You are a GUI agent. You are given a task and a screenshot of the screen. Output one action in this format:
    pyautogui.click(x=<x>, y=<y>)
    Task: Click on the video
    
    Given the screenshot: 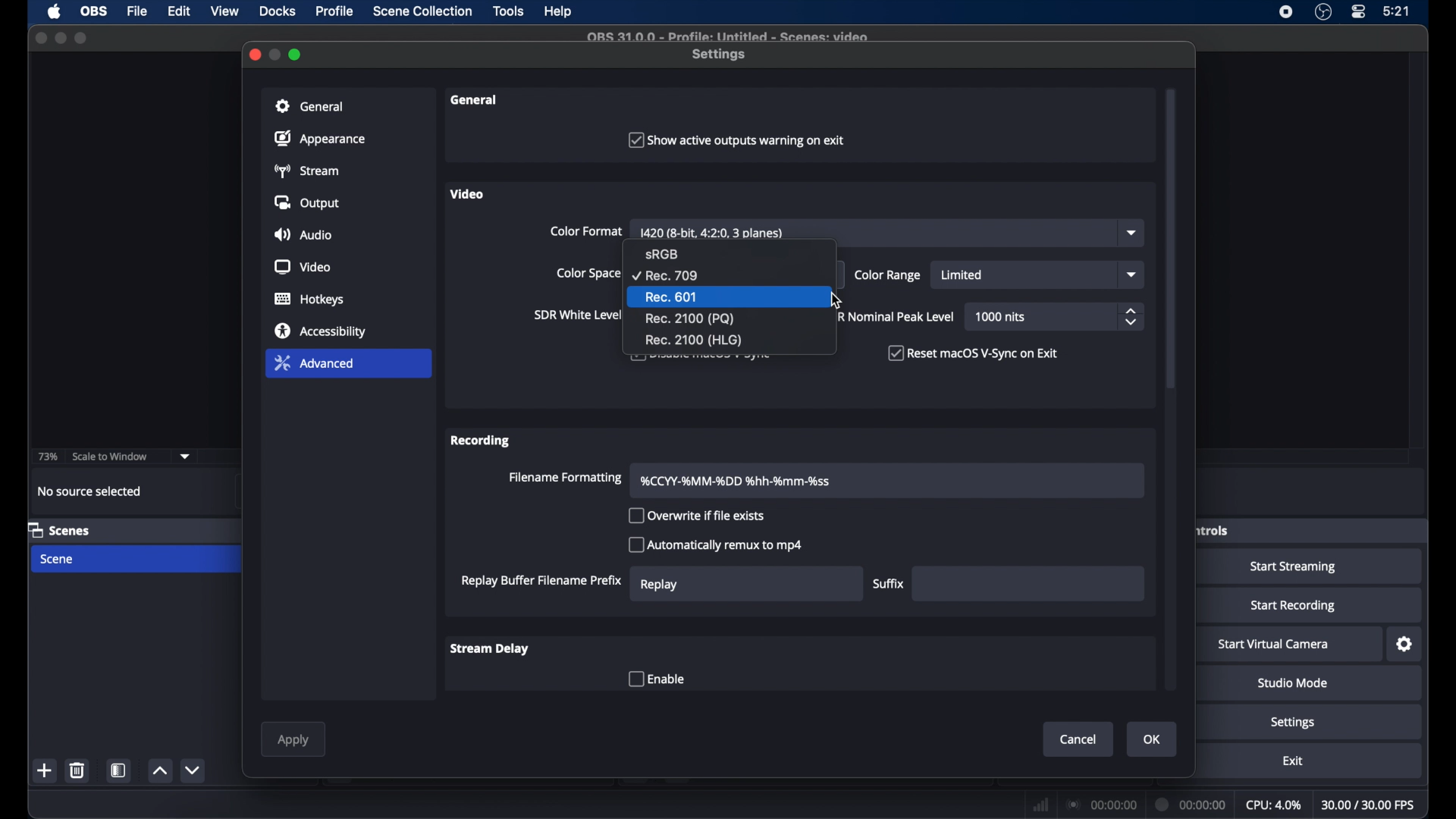 What is the action you would take?
    pyautogui.click(x=302, y=267)
    